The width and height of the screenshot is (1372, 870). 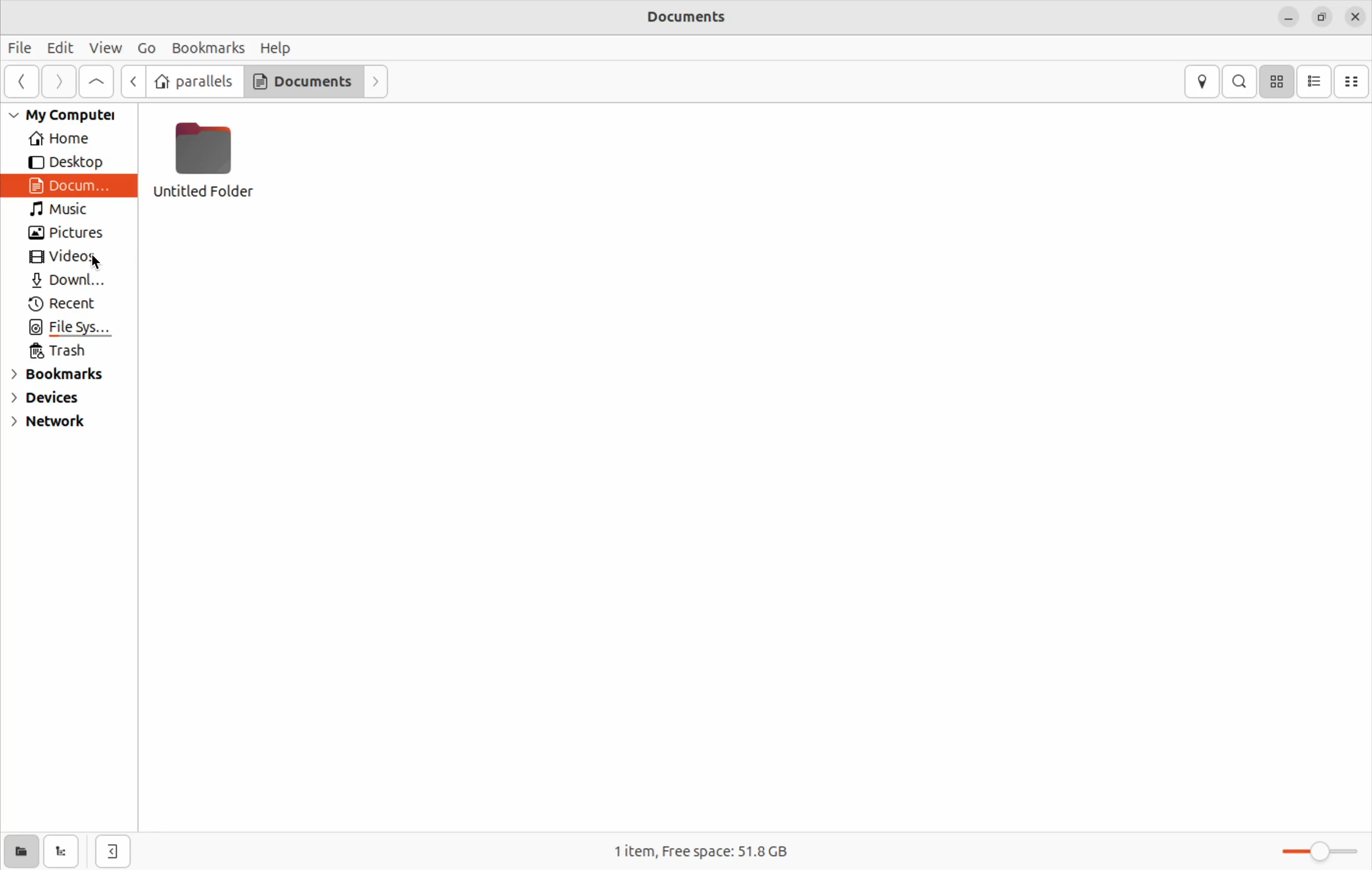 What do you see at coordinates (1203, 81) in the screenshot?
I see `location` at bounding box center [1203, 81].